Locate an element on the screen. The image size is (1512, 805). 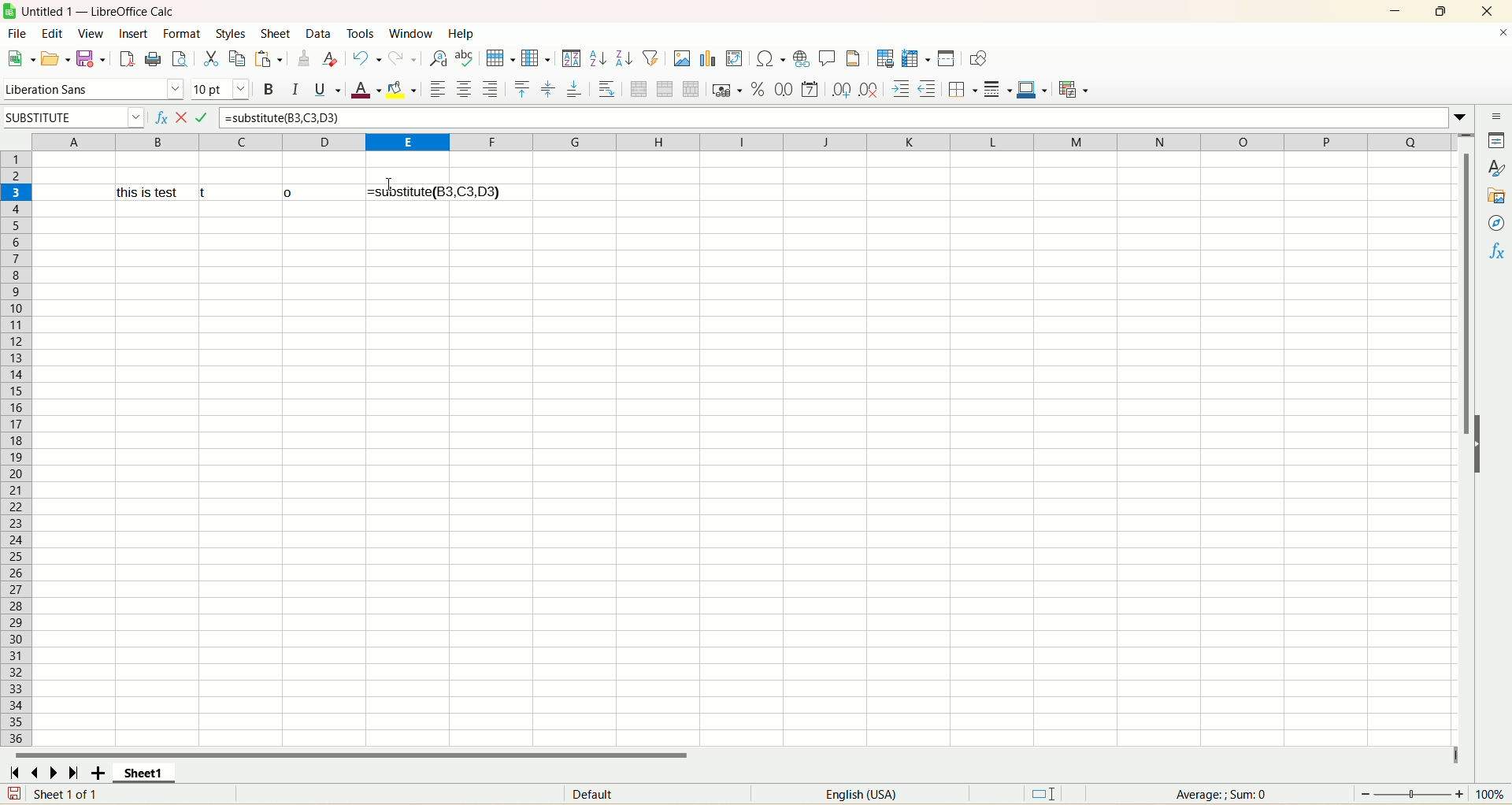
insert image is located at coordinates (682, 58).